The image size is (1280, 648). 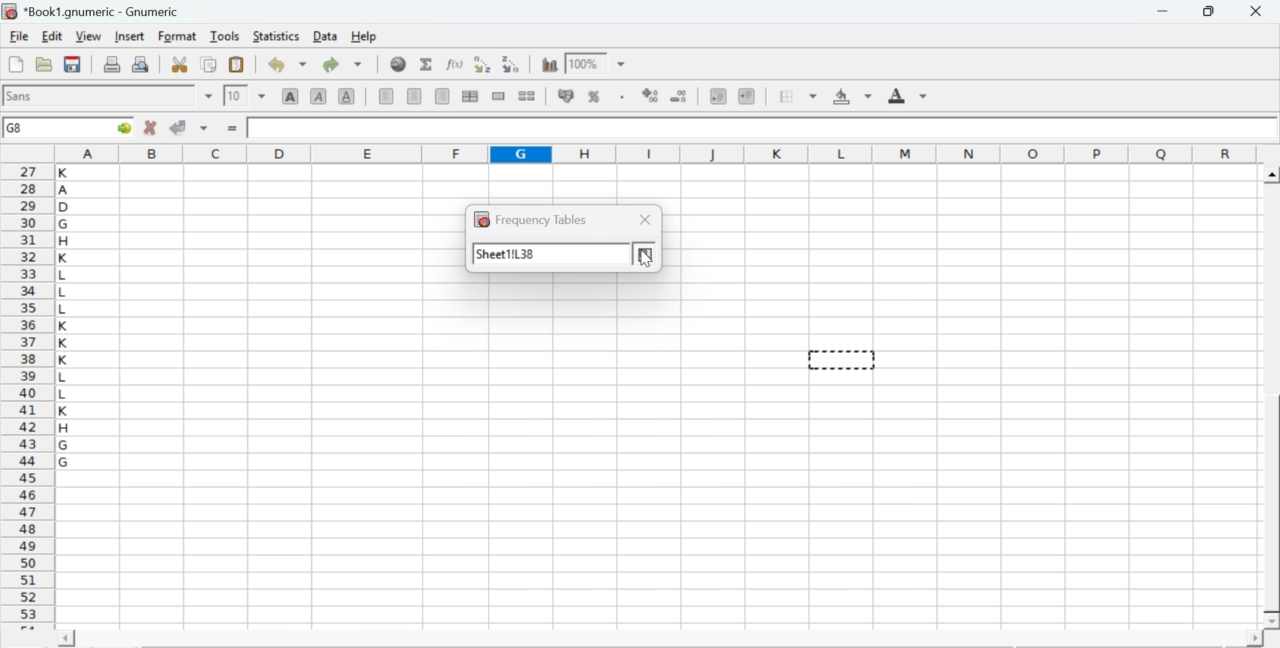 I want to click on align right, so click(x=442, y=97).